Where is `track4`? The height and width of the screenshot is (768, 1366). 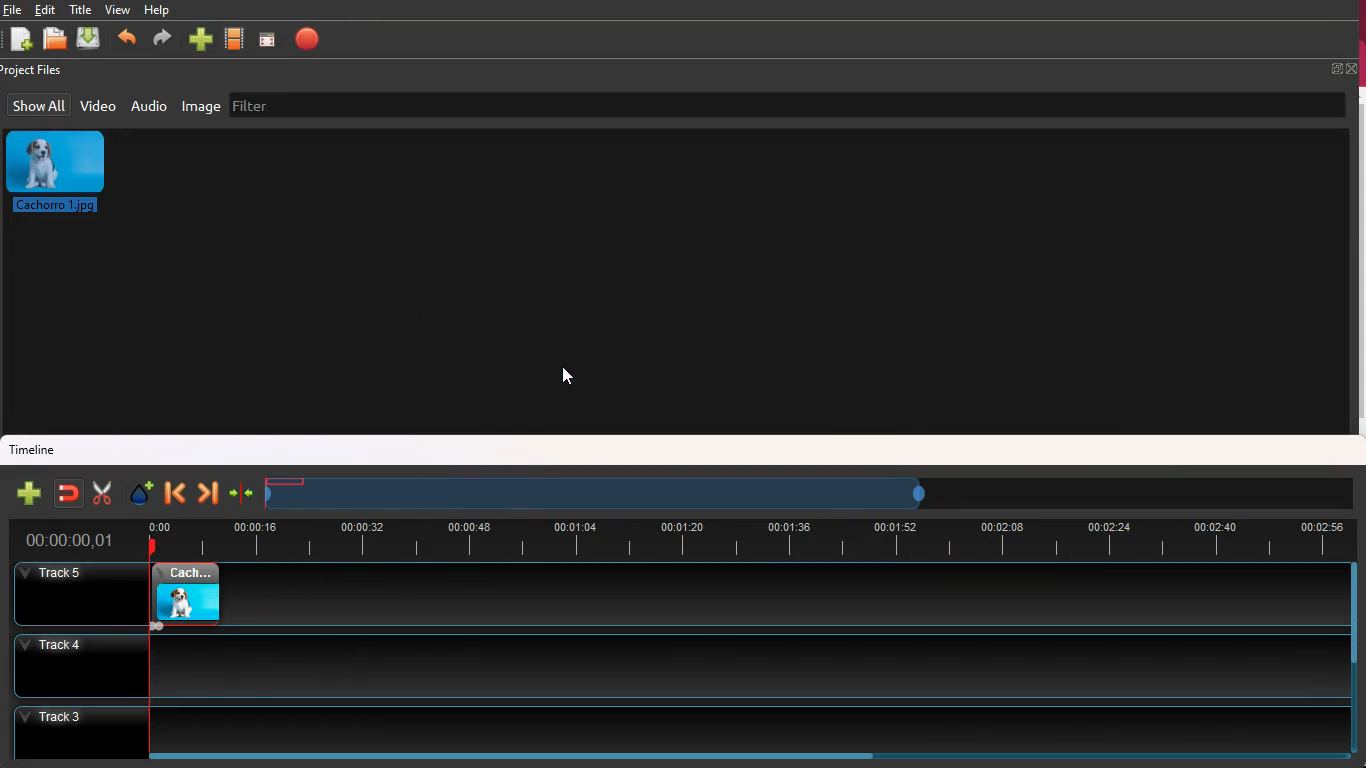
track4 is located at coordinates (669, 663).